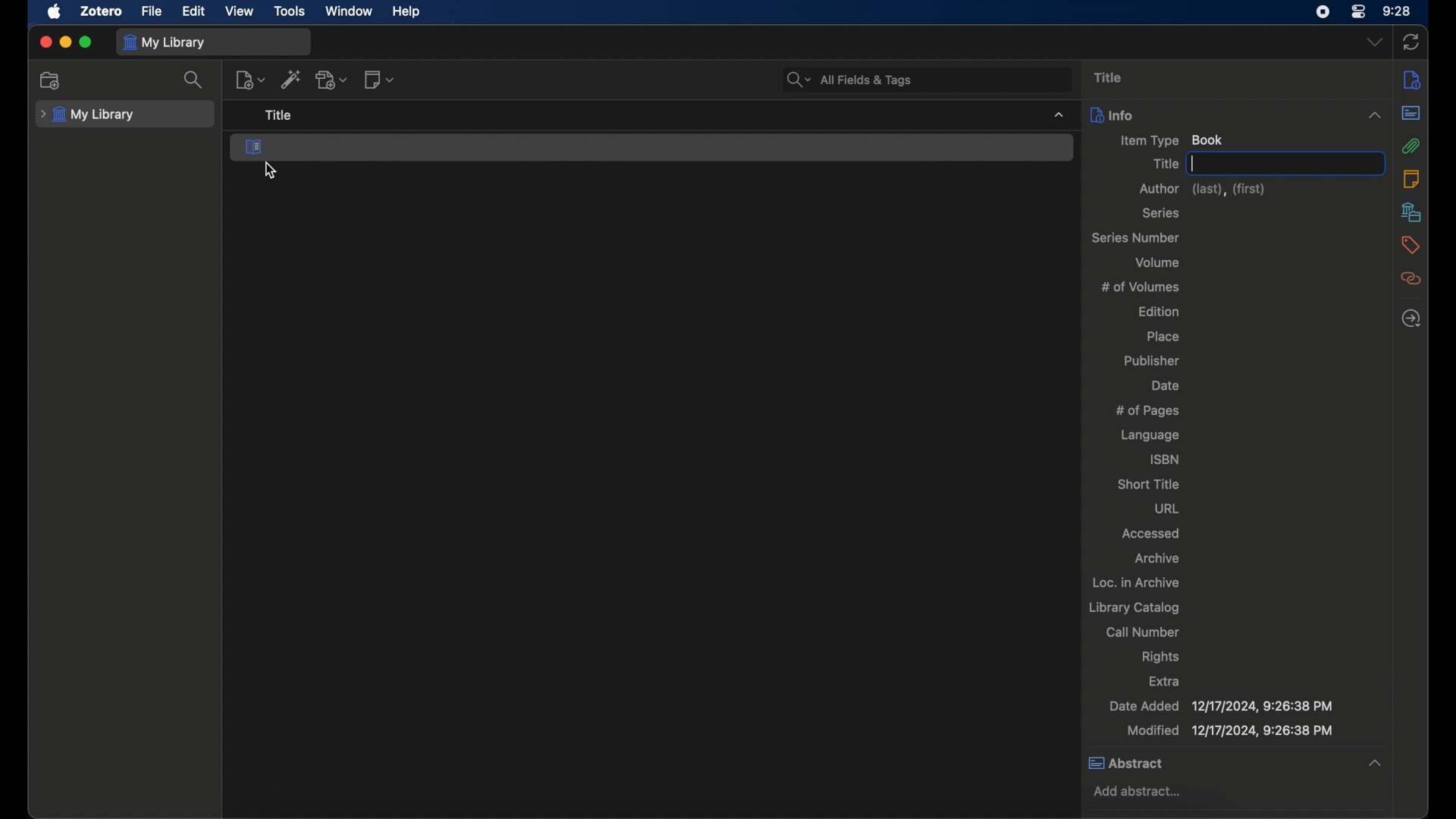 The image size is (1456, 819). What do you see at coordinates (1357, 12) in the screenshot?
I see `control center` at bounding box center [1357, 12].